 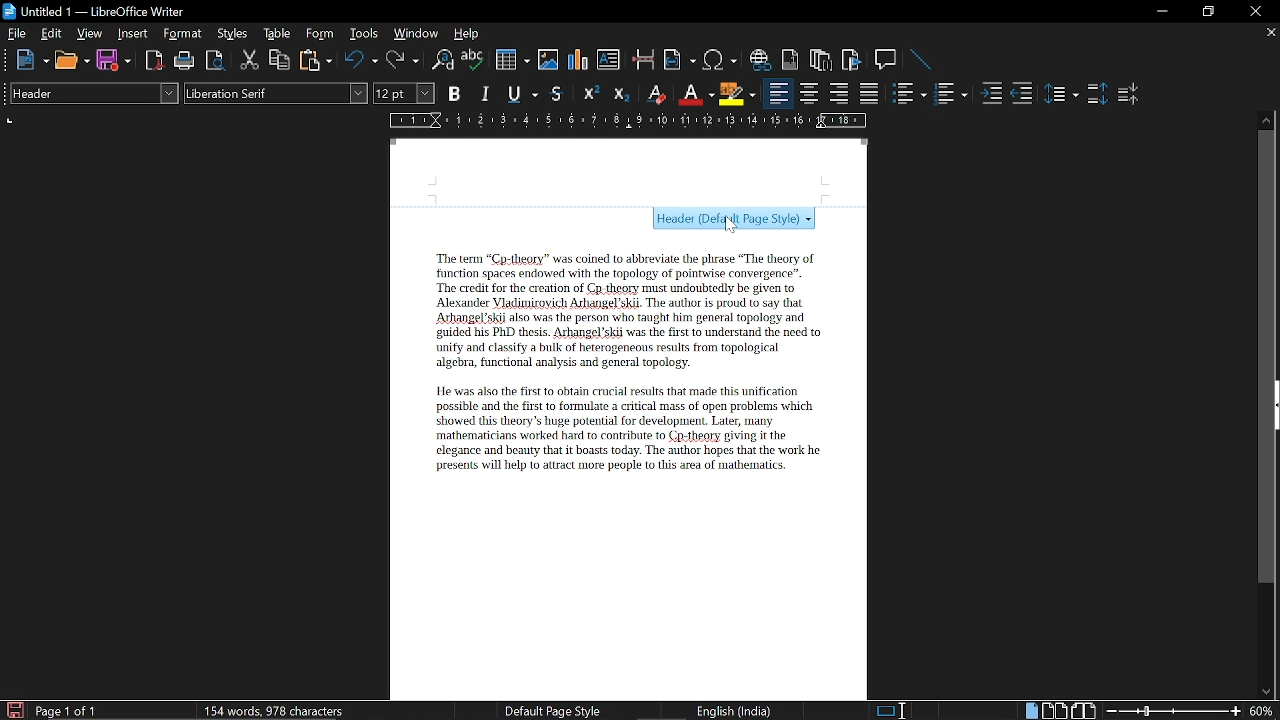 I want to click on Paragraph style, so click(x=91, y=93).